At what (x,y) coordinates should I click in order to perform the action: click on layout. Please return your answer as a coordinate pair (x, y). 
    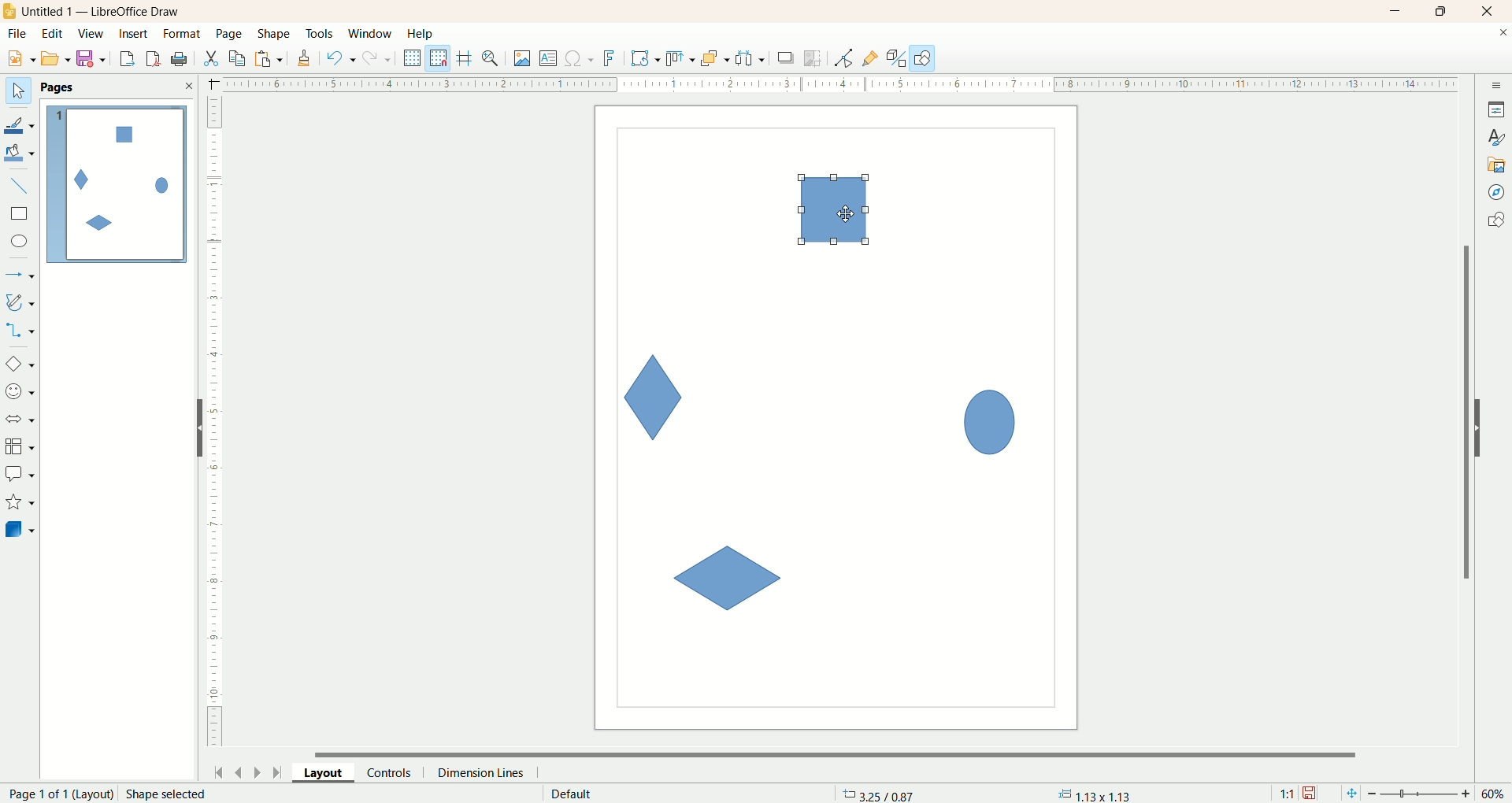
    Looking at the image, I should click on (330, 772).